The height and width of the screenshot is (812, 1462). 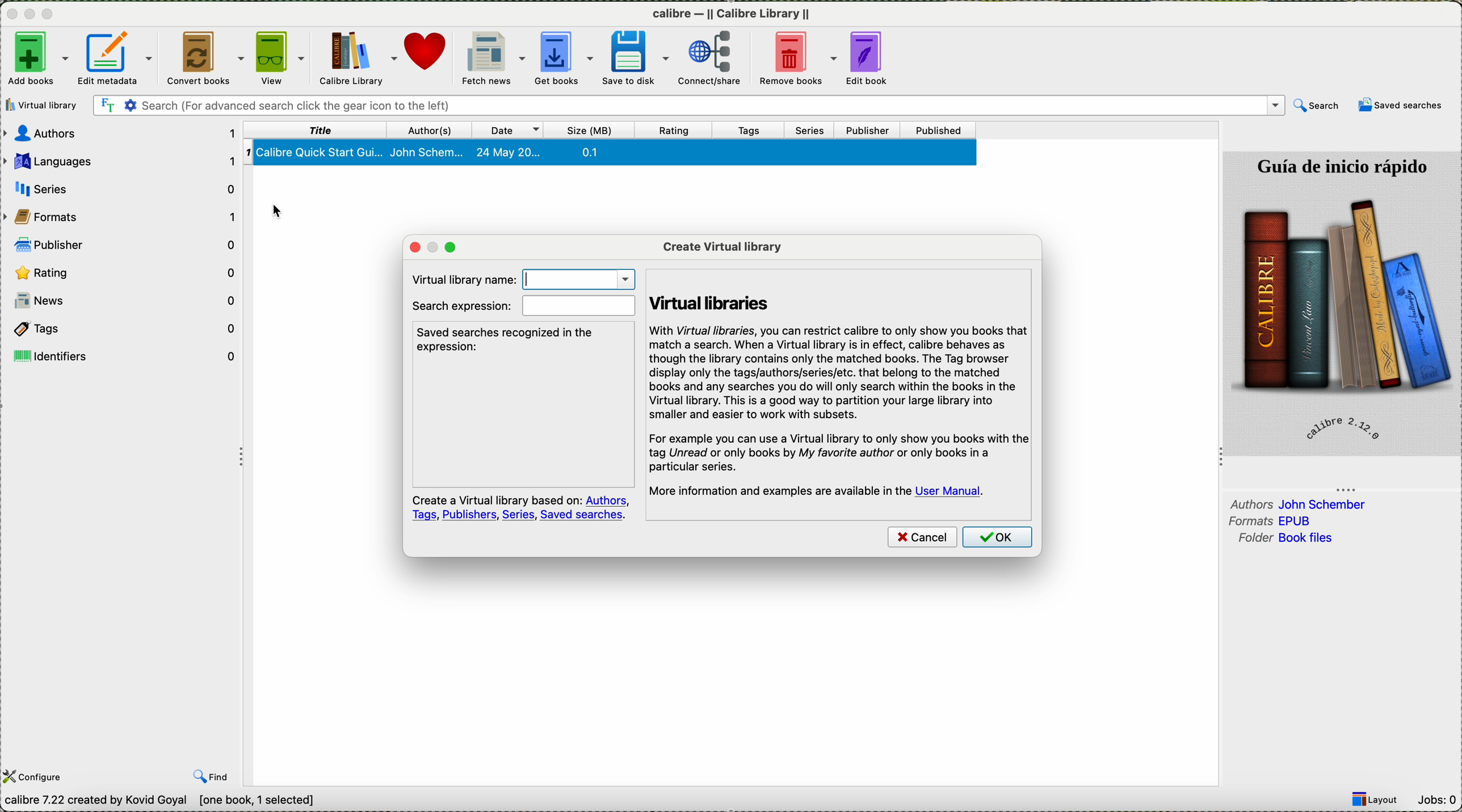 What do you see at coordinates (205, 58) in the screenshot?
I see `convert books` at bounding box center [205, 58].